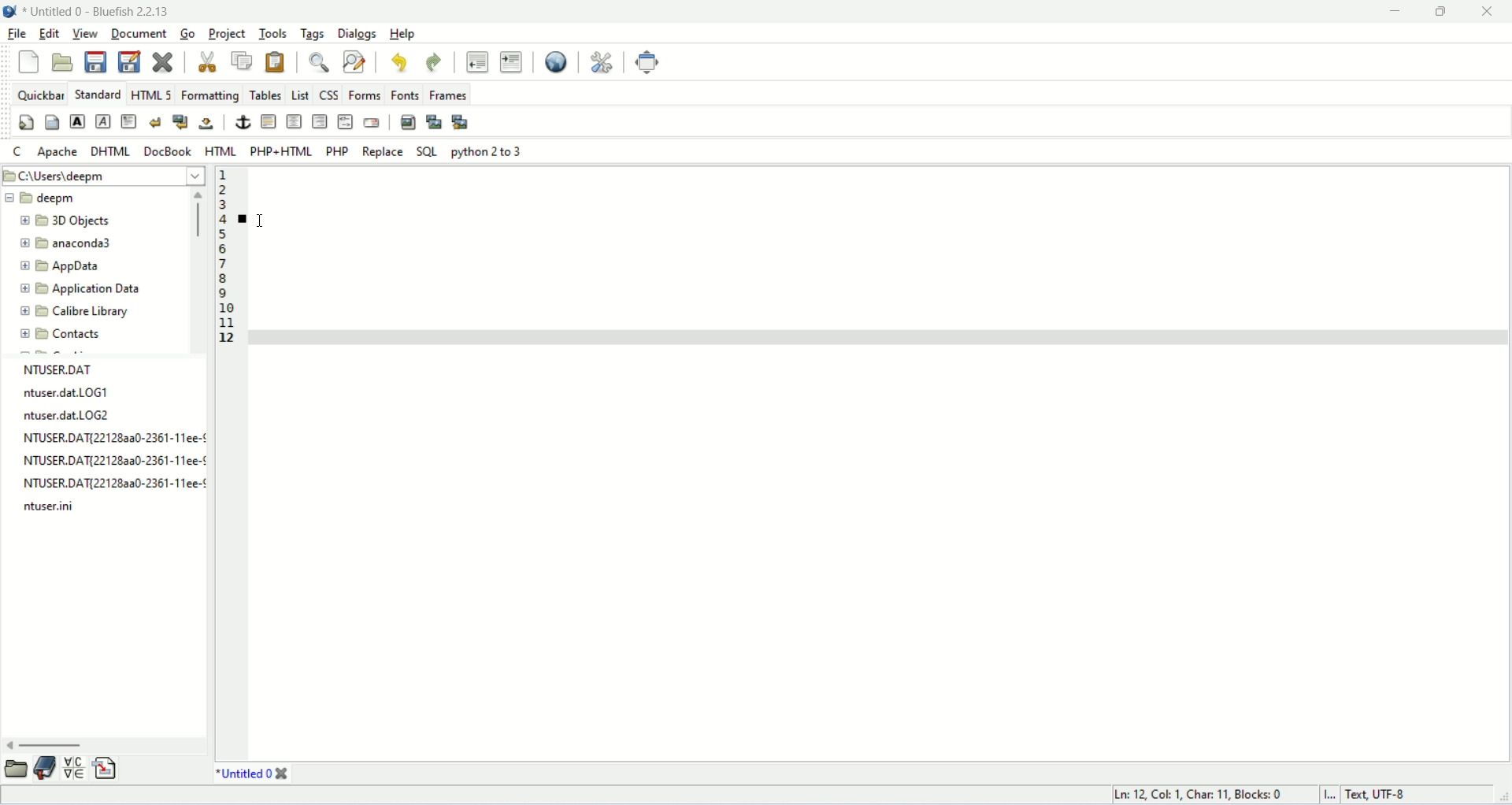  What do you see at coordinates (154, 94) in the screenshot?
I see `HTML 5` at bounding box center [154, 94].